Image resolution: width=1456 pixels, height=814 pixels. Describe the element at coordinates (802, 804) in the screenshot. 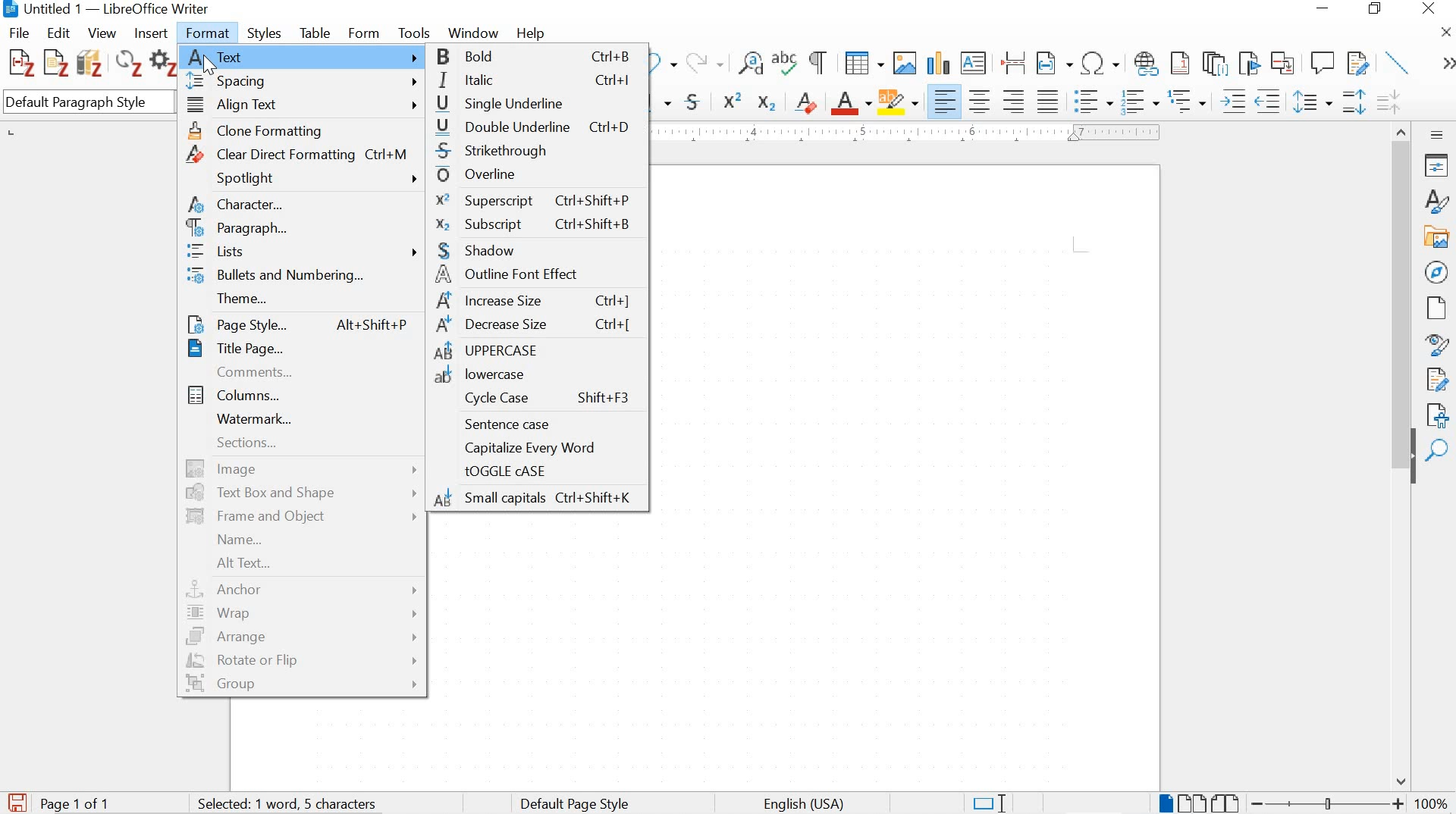

I see `text language` at that location.